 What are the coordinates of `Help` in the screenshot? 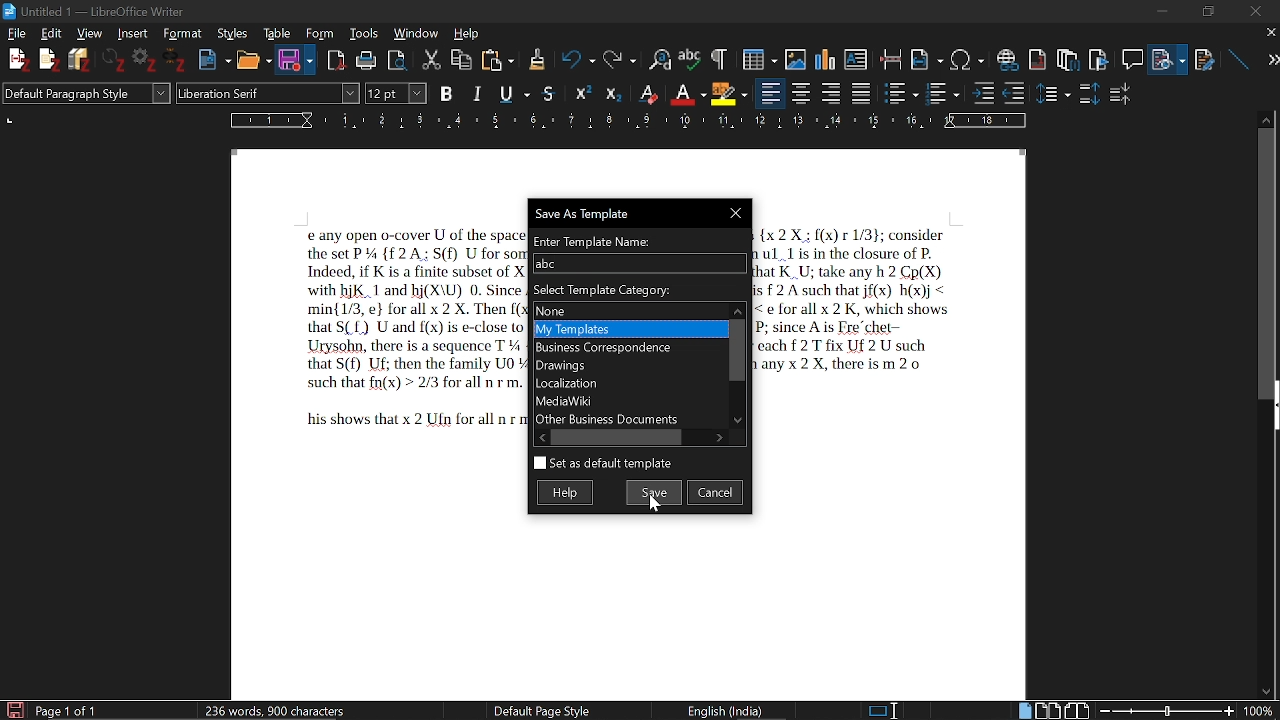 It's located at (467, 32).